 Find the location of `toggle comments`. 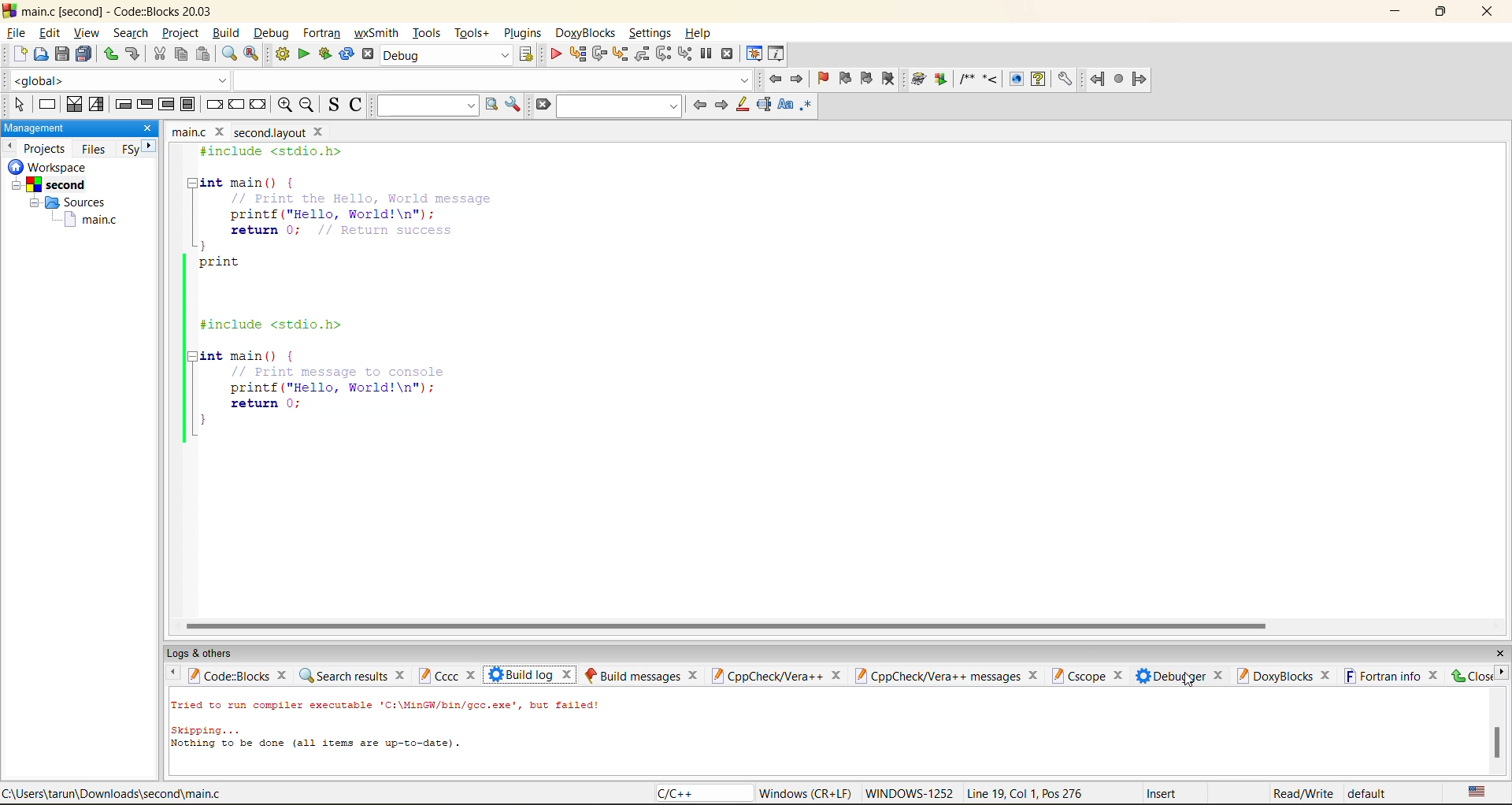

toggle comments is located at coordinates (355, 108).